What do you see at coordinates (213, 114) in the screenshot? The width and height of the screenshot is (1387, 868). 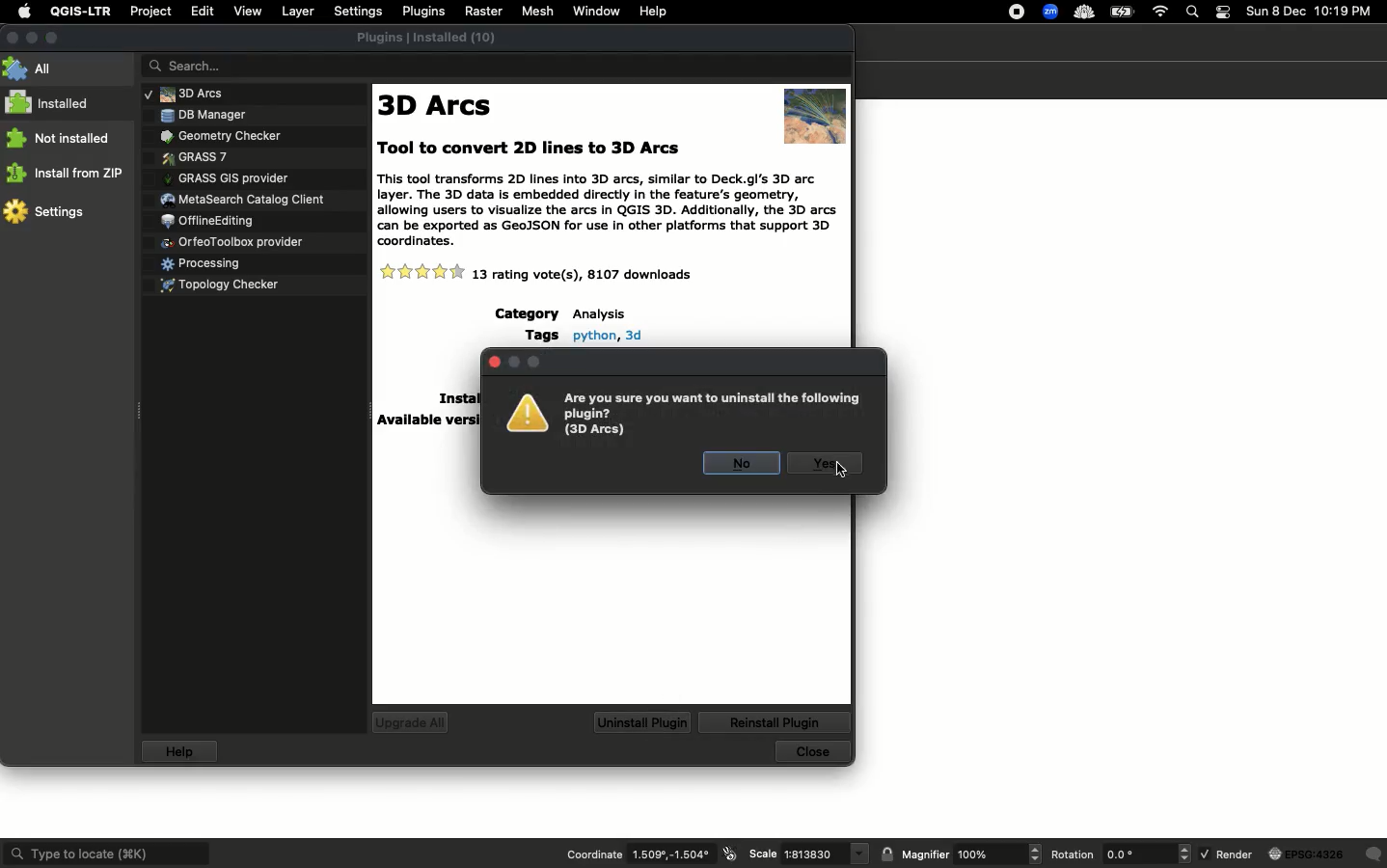 I see `Plugins` at bounding box center [213, 114].